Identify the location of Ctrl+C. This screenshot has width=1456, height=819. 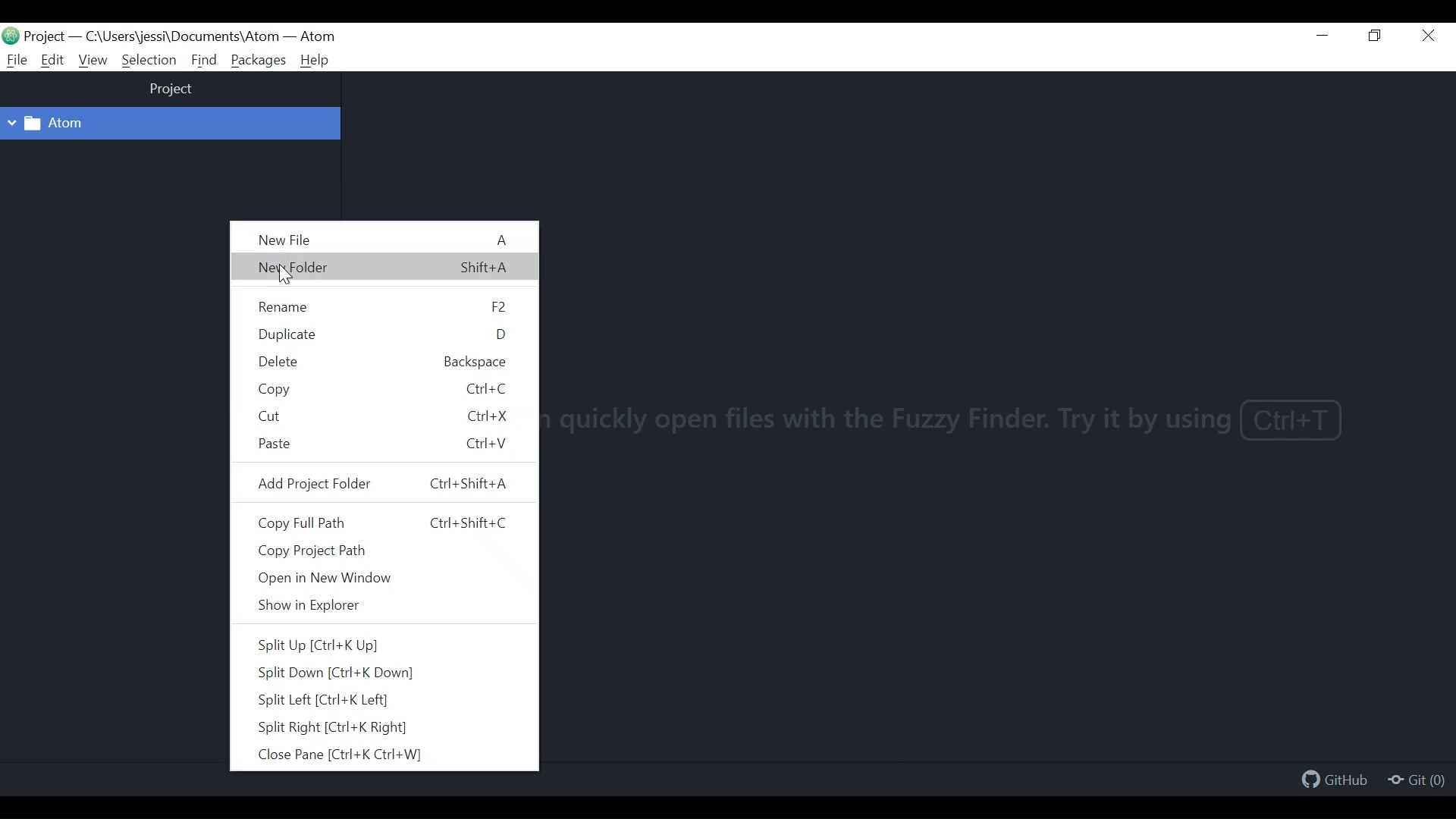
(488, 389).